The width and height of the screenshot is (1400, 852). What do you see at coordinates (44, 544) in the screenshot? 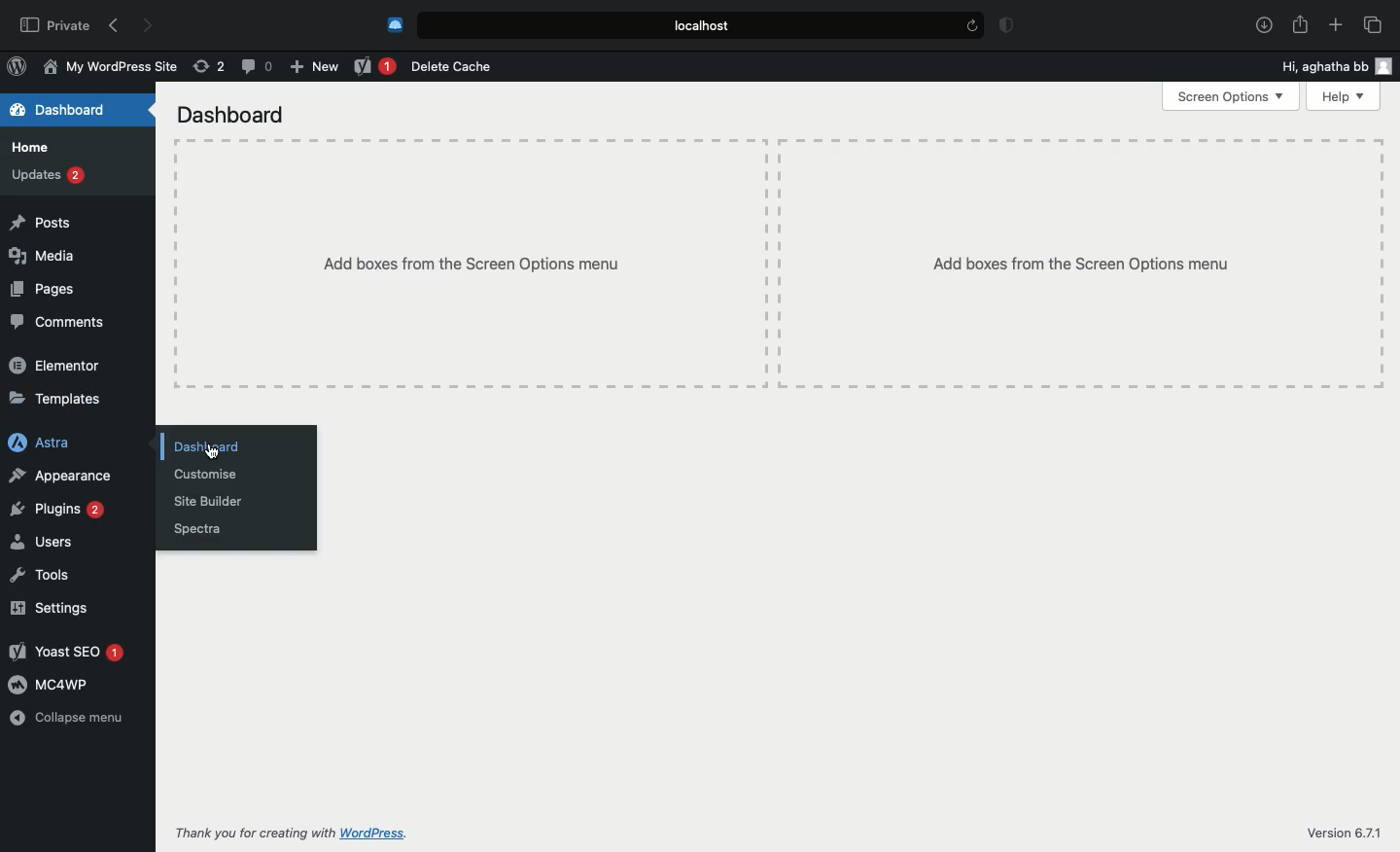
I see `Users` at bounding box center [44, 544].